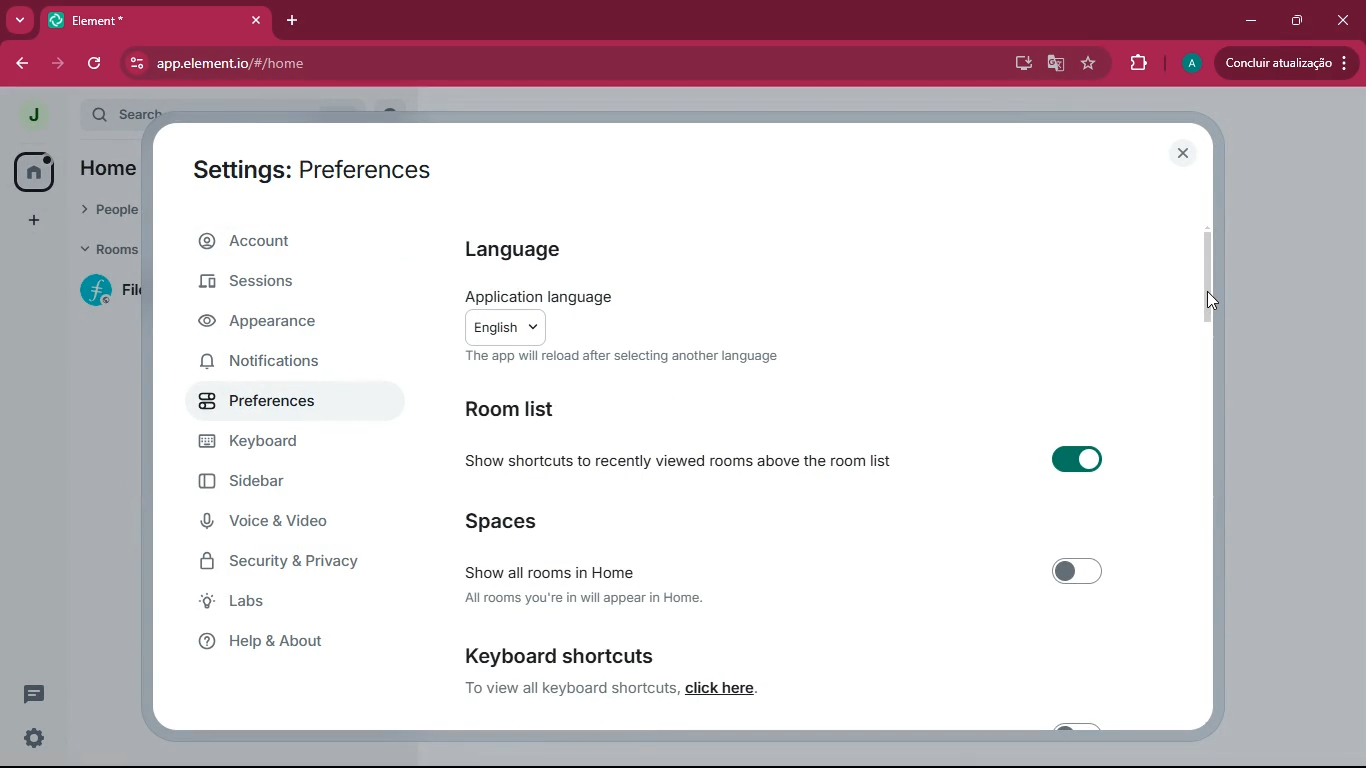 The height and width of the screenshot is (768, 1366). I want to click on add tab, so click(293, 21).